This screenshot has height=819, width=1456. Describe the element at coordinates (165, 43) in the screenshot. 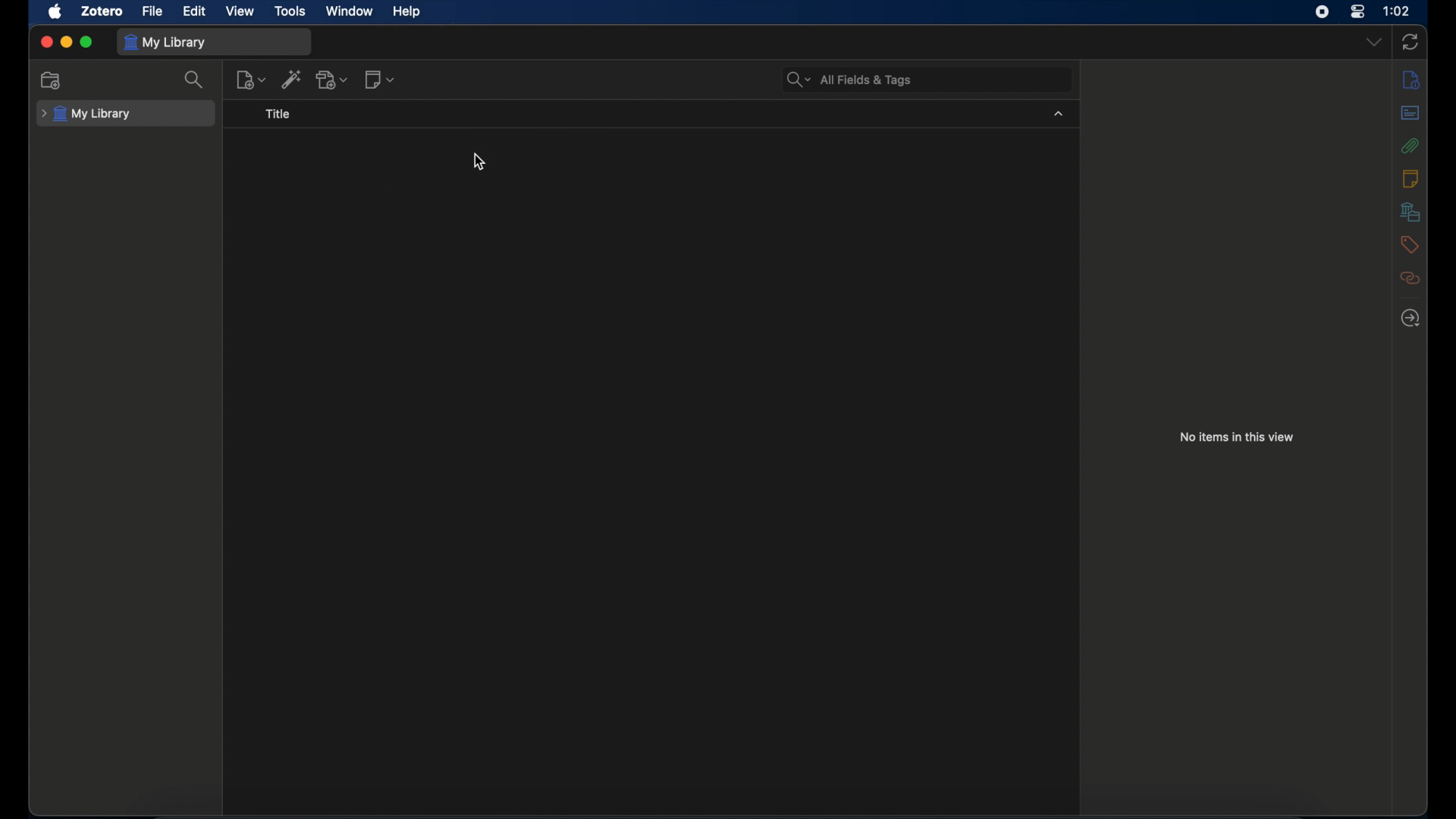

I see `my library` at that location.